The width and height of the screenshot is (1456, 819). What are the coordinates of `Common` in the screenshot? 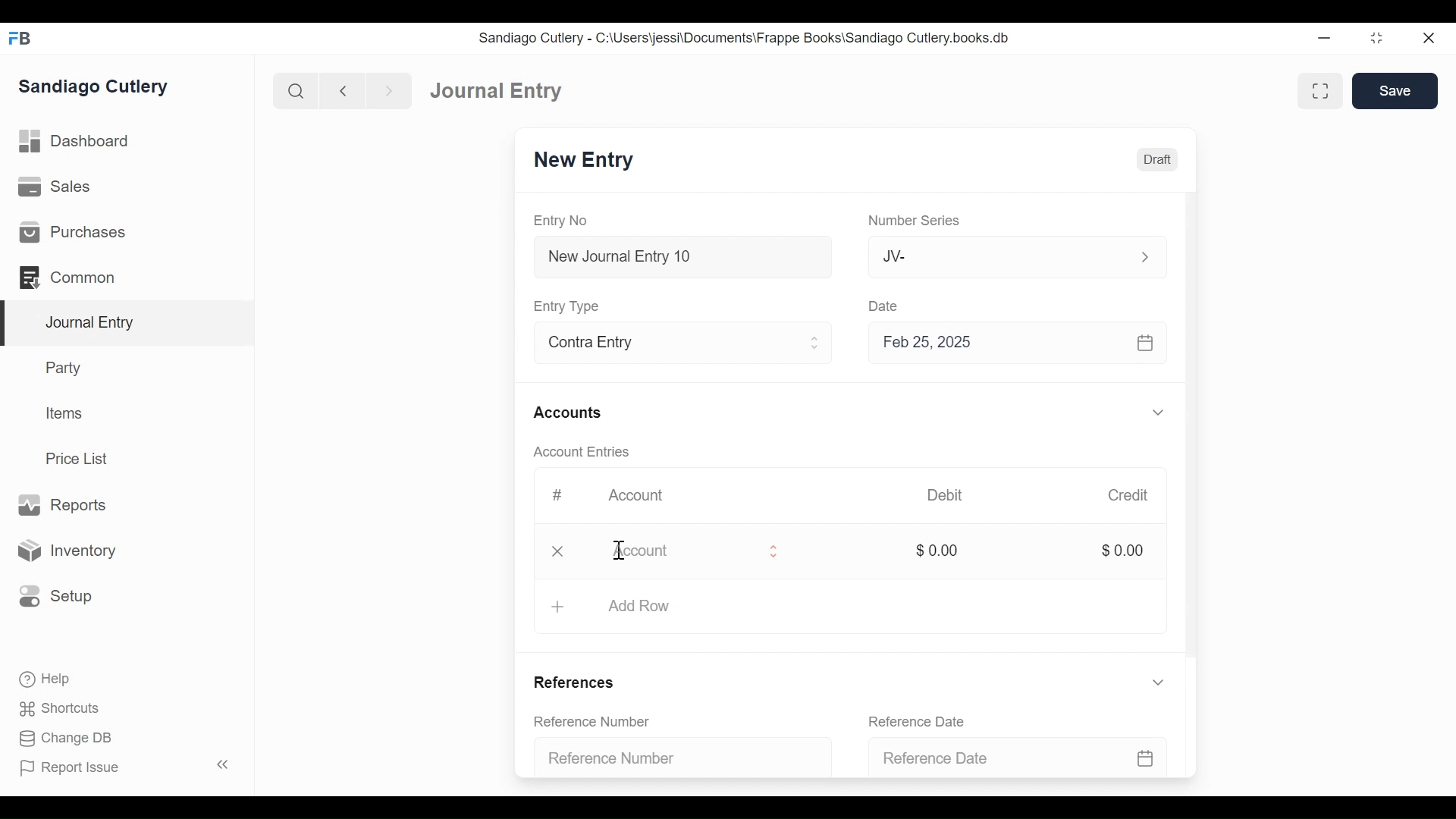 It's located at (68, 276).